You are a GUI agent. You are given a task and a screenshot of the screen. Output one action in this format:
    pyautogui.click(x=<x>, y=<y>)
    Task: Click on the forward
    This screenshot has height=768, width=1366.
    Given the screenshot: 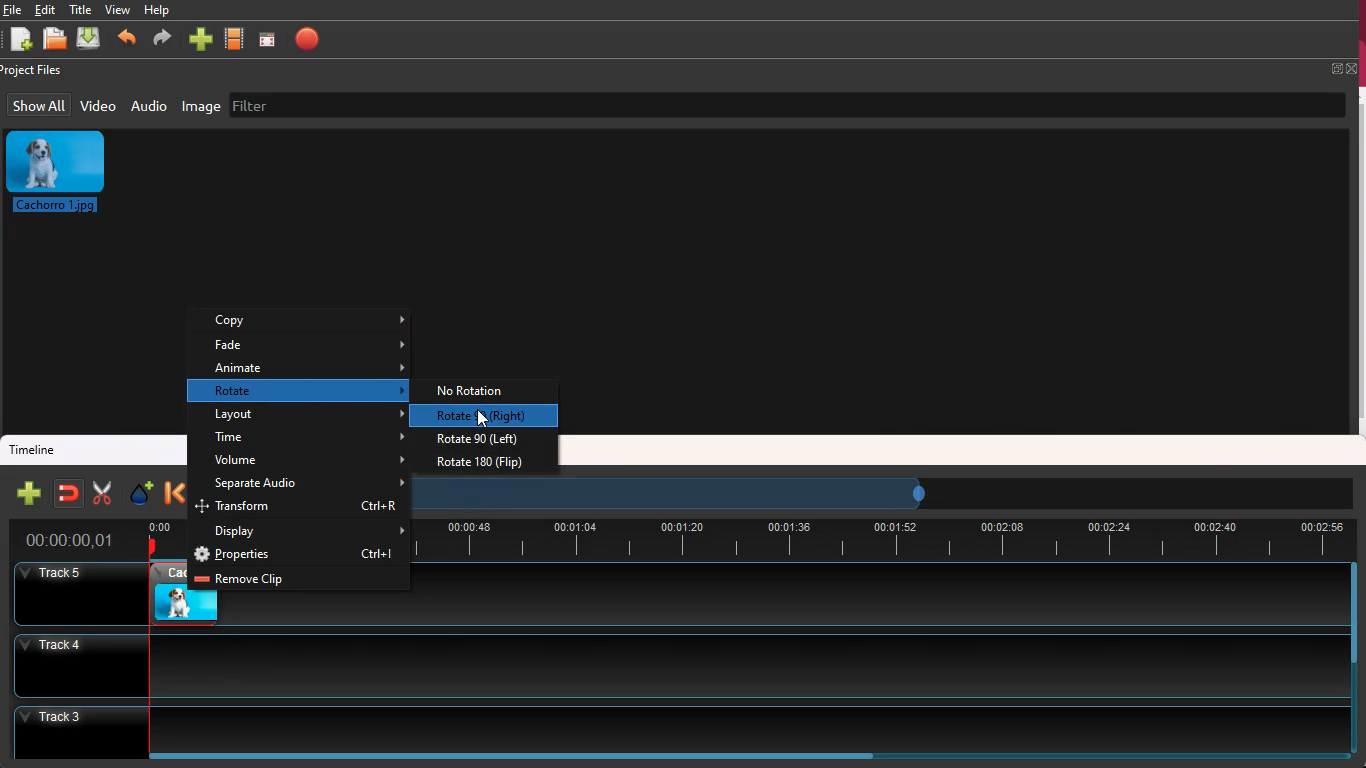 What is the action you would take?
    pyautogui.click(x=161, y=39)
    